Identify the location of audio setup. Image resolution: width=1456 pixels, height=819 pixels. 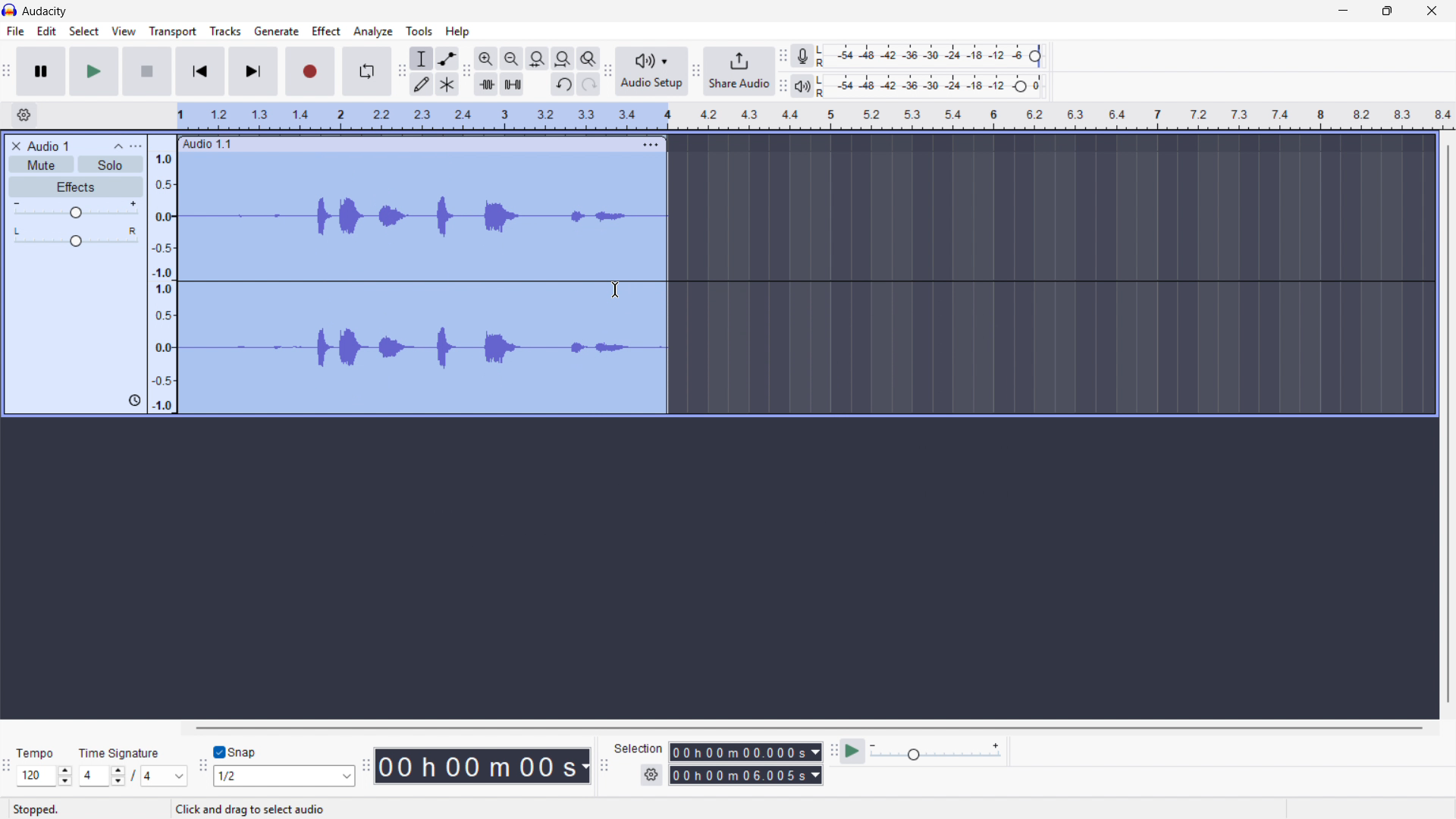
(652, 71).